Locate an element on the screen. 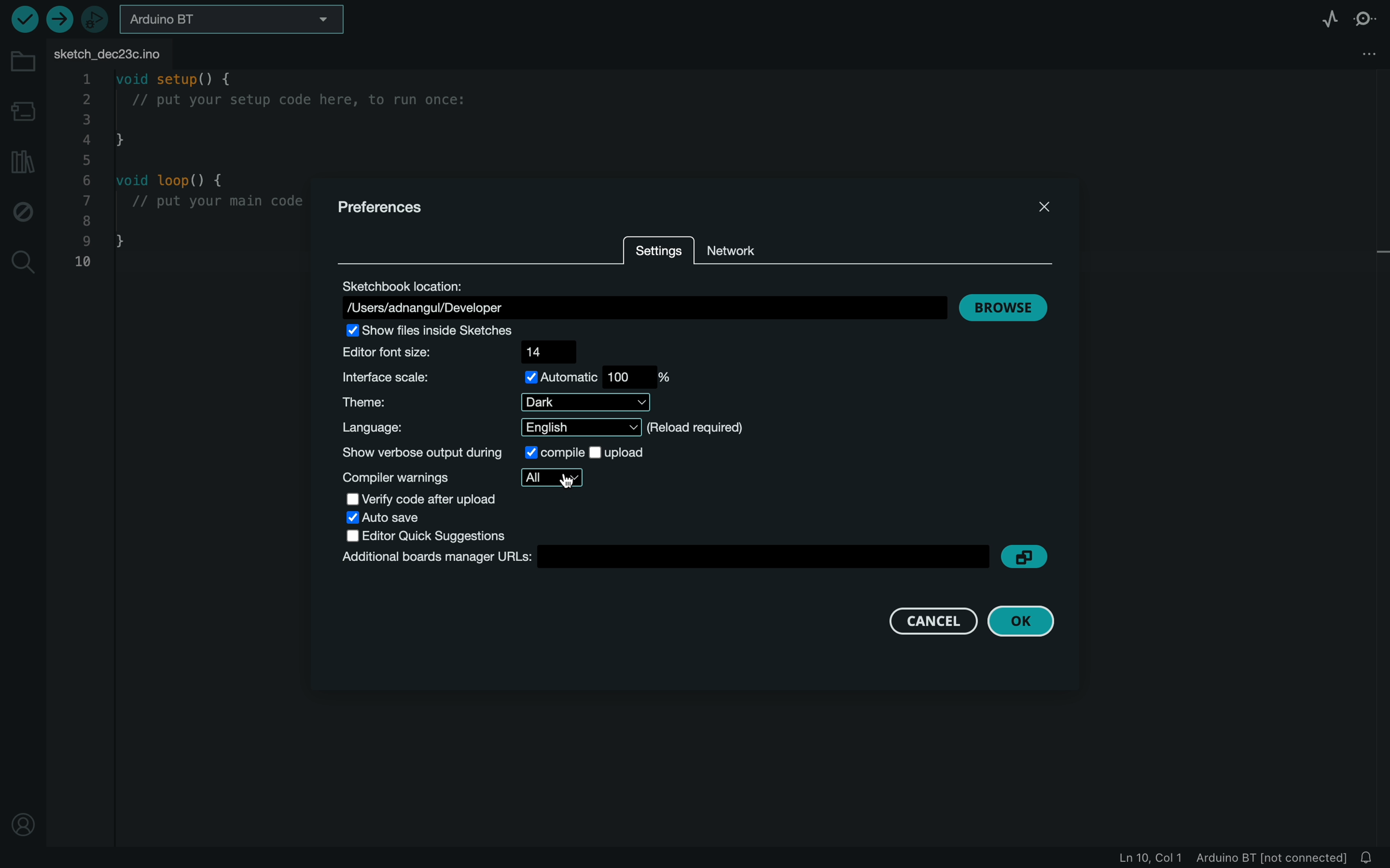  ok is located at coordinates (1025, 621).